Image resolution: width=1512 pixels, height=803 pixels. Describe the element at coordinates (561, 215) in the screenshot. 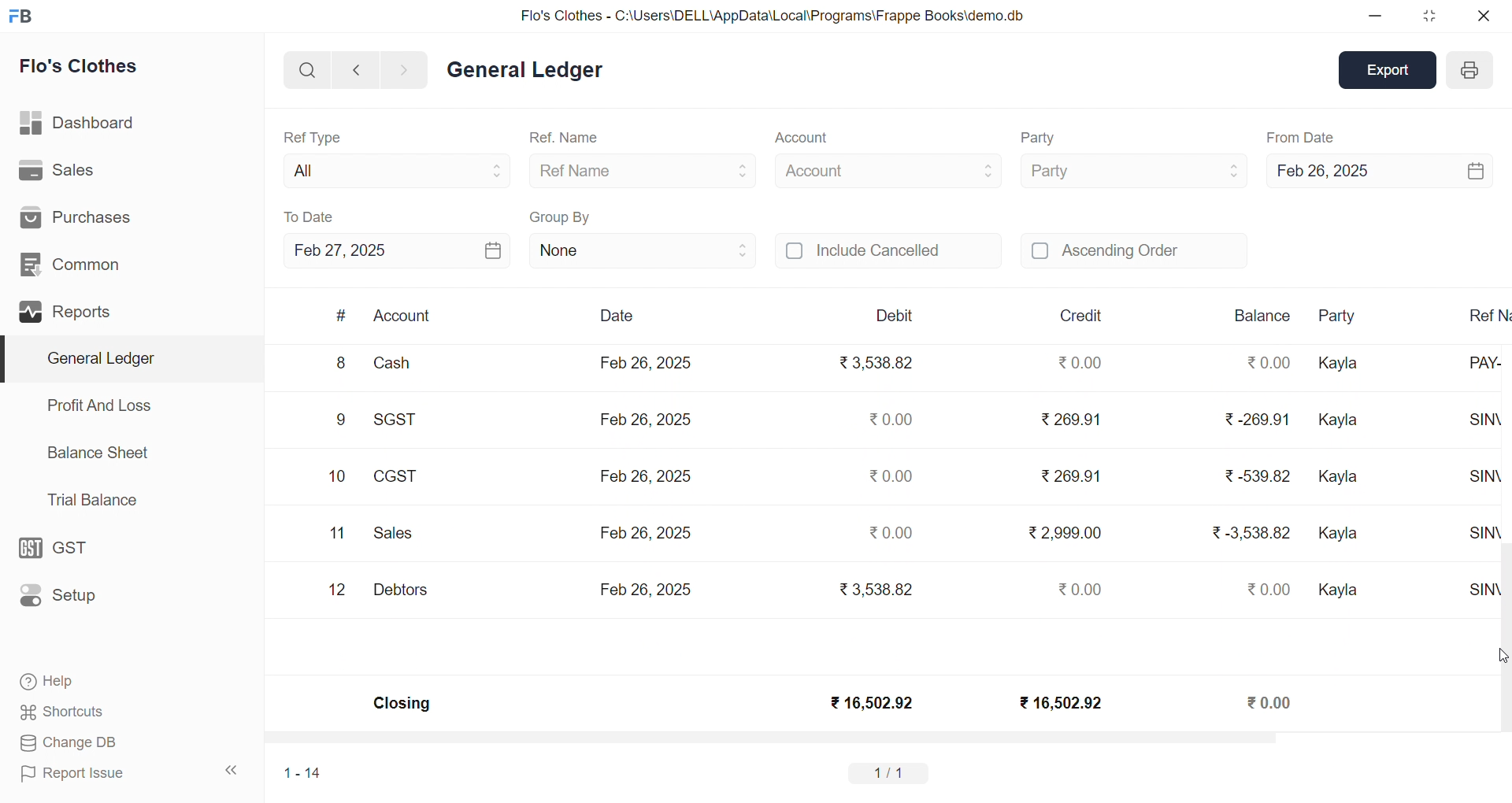

I see `Group By` at that location.